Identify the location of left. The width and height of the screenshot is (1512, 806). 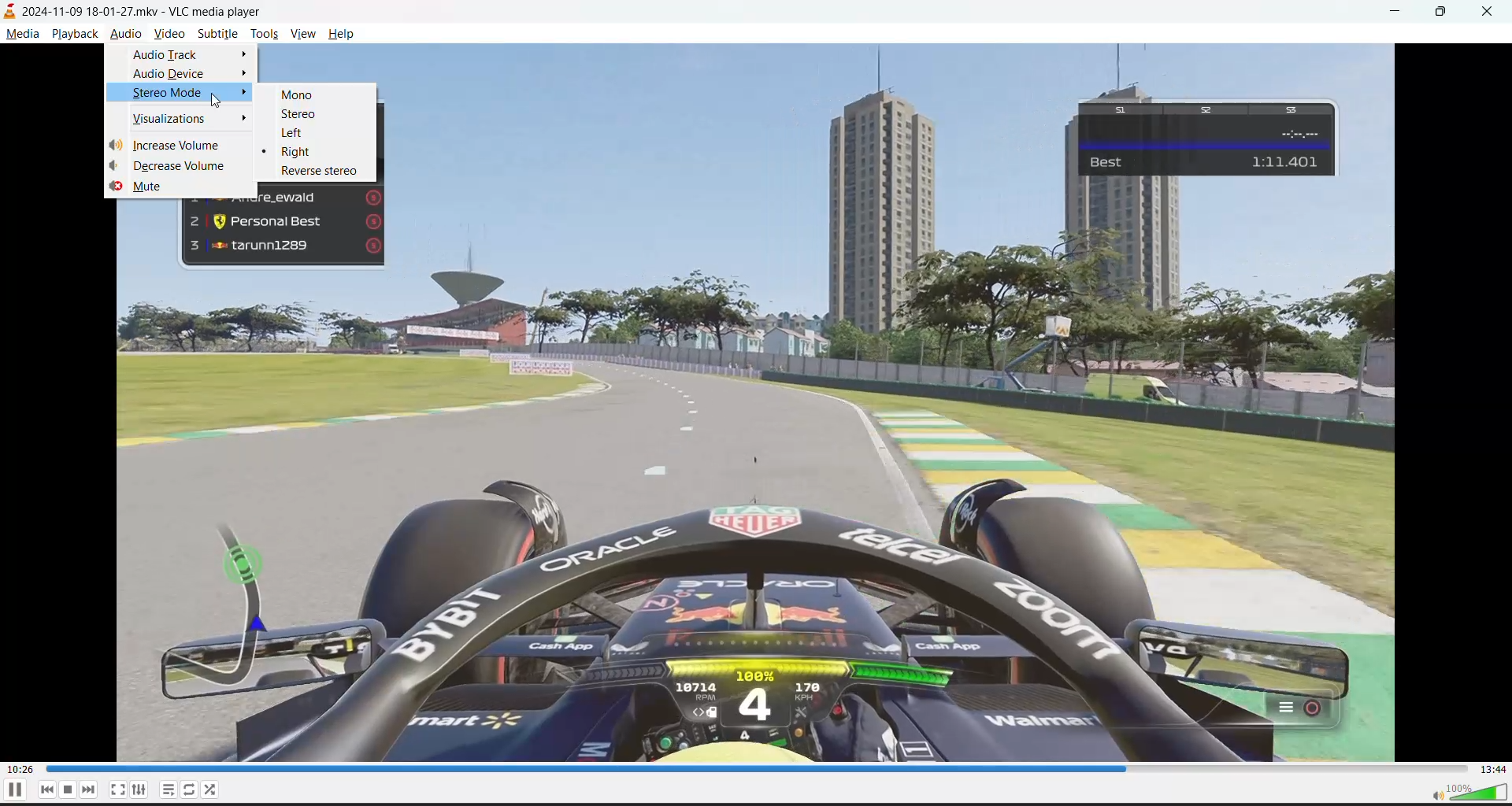
(293, 134).